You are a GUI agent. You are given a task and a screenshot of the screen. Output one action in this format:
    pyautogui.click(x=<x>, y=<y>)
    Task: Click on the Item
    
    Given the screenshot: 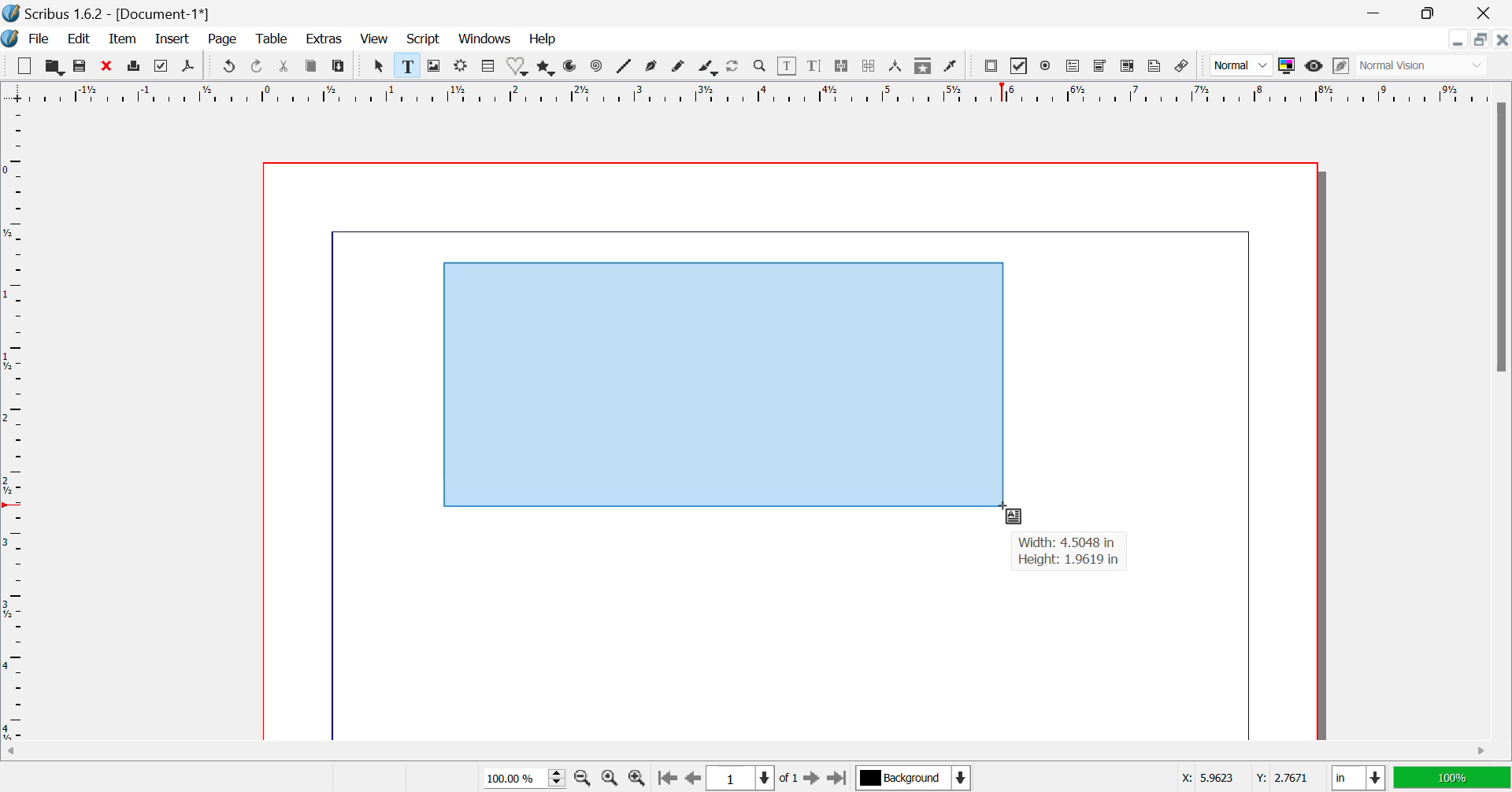 What is the action you would take?
    pyautogui.click(x=123, y=41)
    